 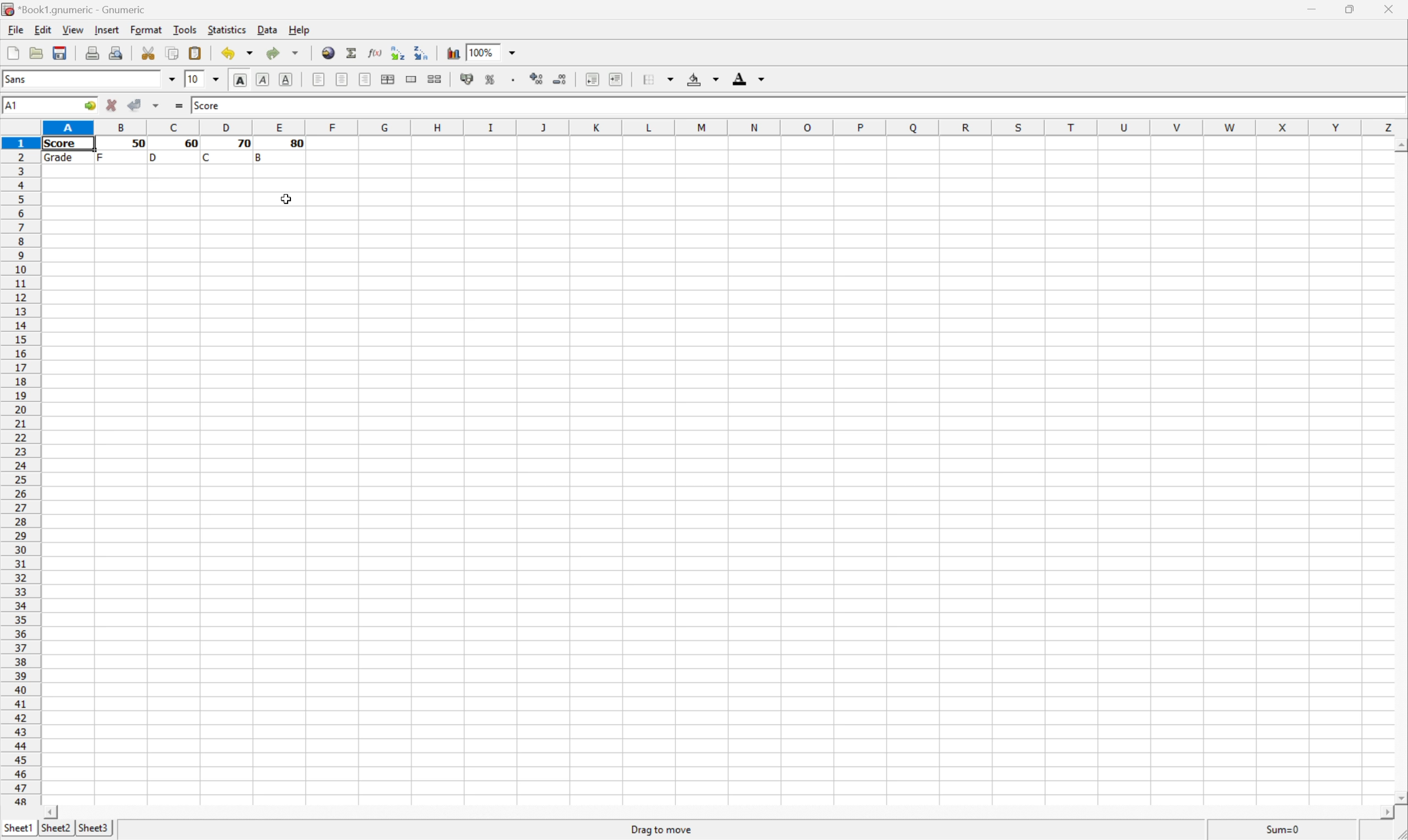 What do you see at coordinates (260, 80) in the screenshot?
I see `Italic` at bounding box center [260, 80].